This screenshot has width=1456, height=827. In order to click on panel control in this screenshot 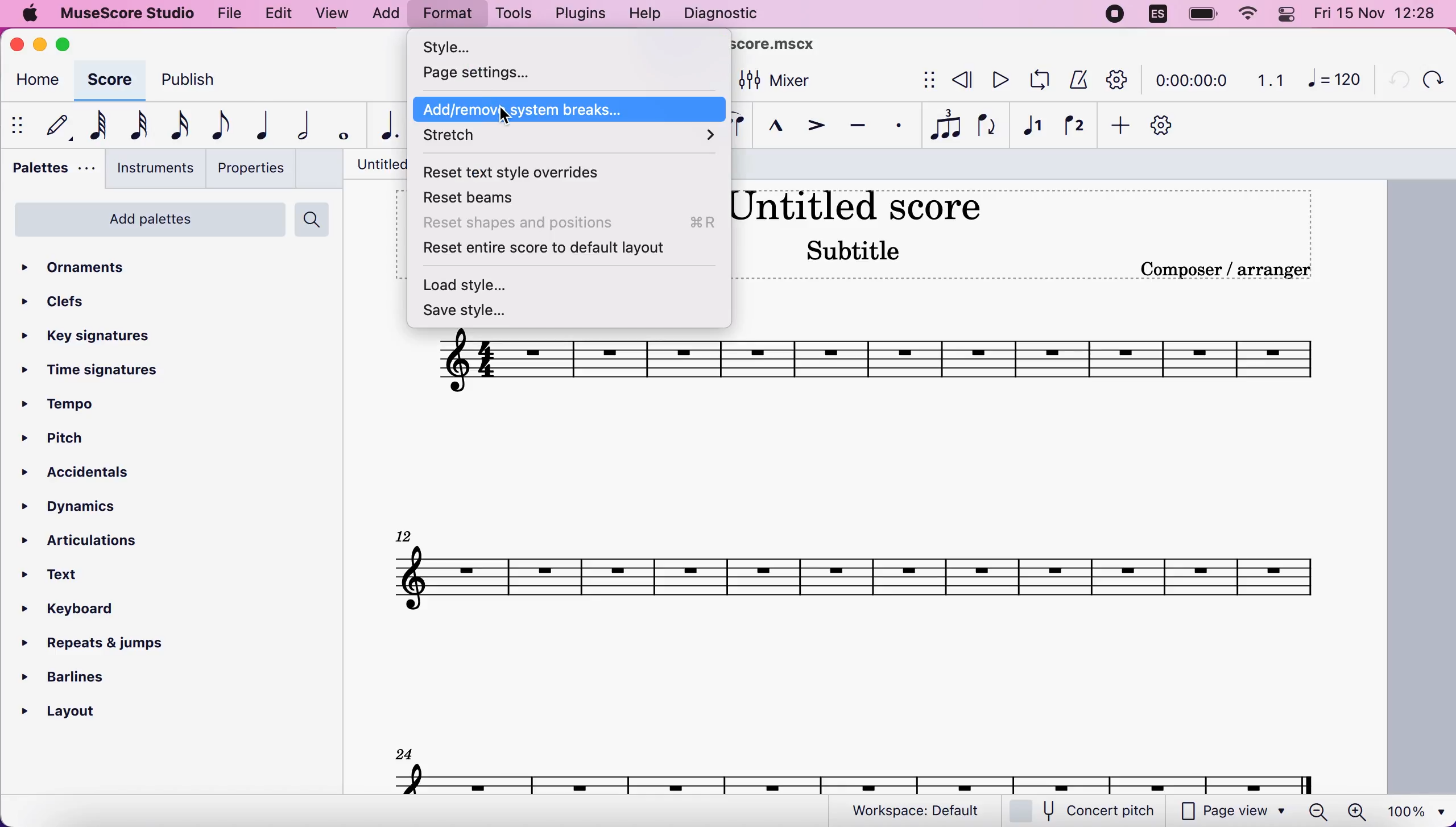, I will do `click(1289, 14)`.